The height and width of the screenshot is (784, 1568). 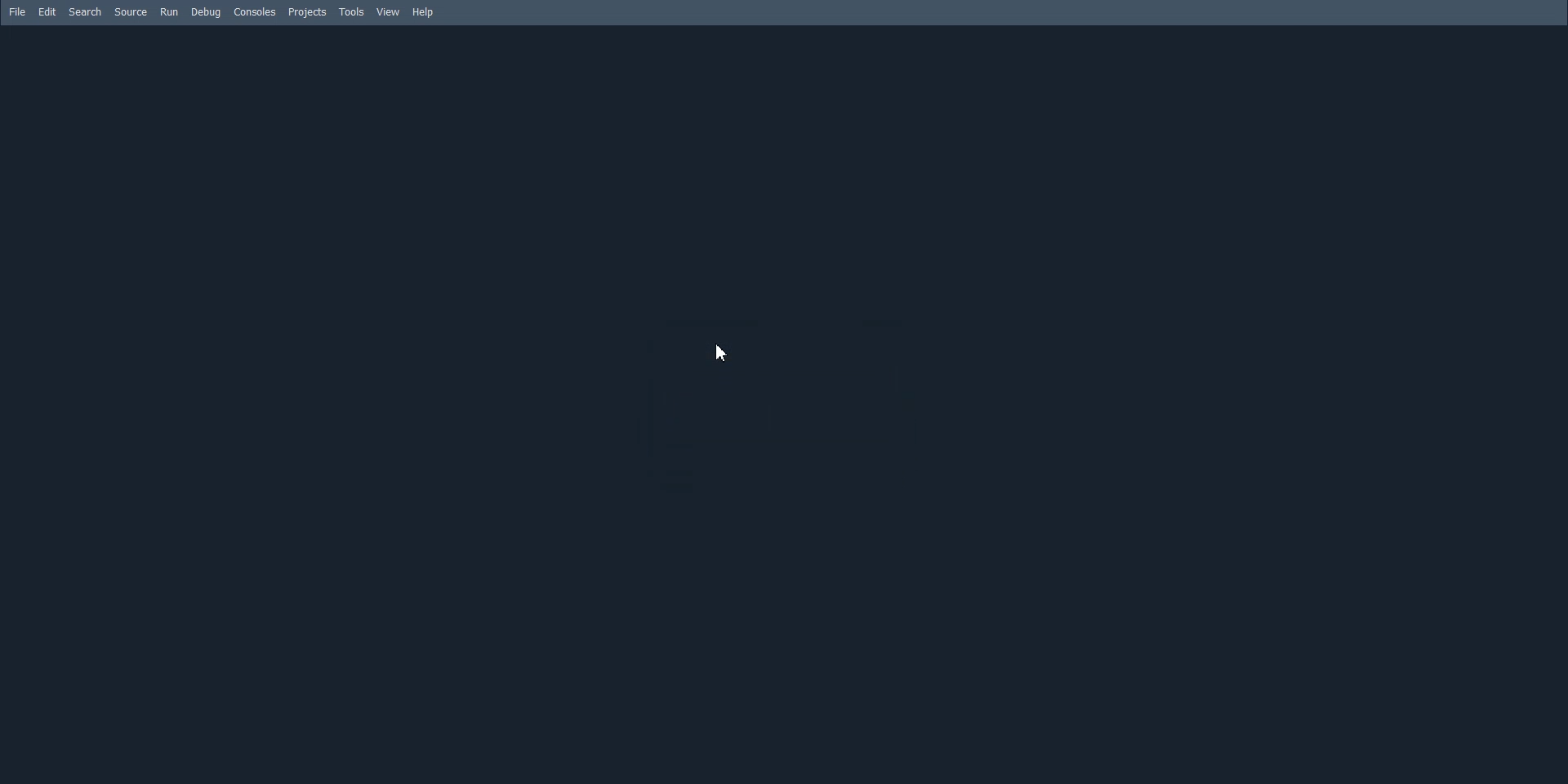 What do you see at coordinates (722, 353) in the screenshot?
I see `Cursor` at bounding box center [722, 353].